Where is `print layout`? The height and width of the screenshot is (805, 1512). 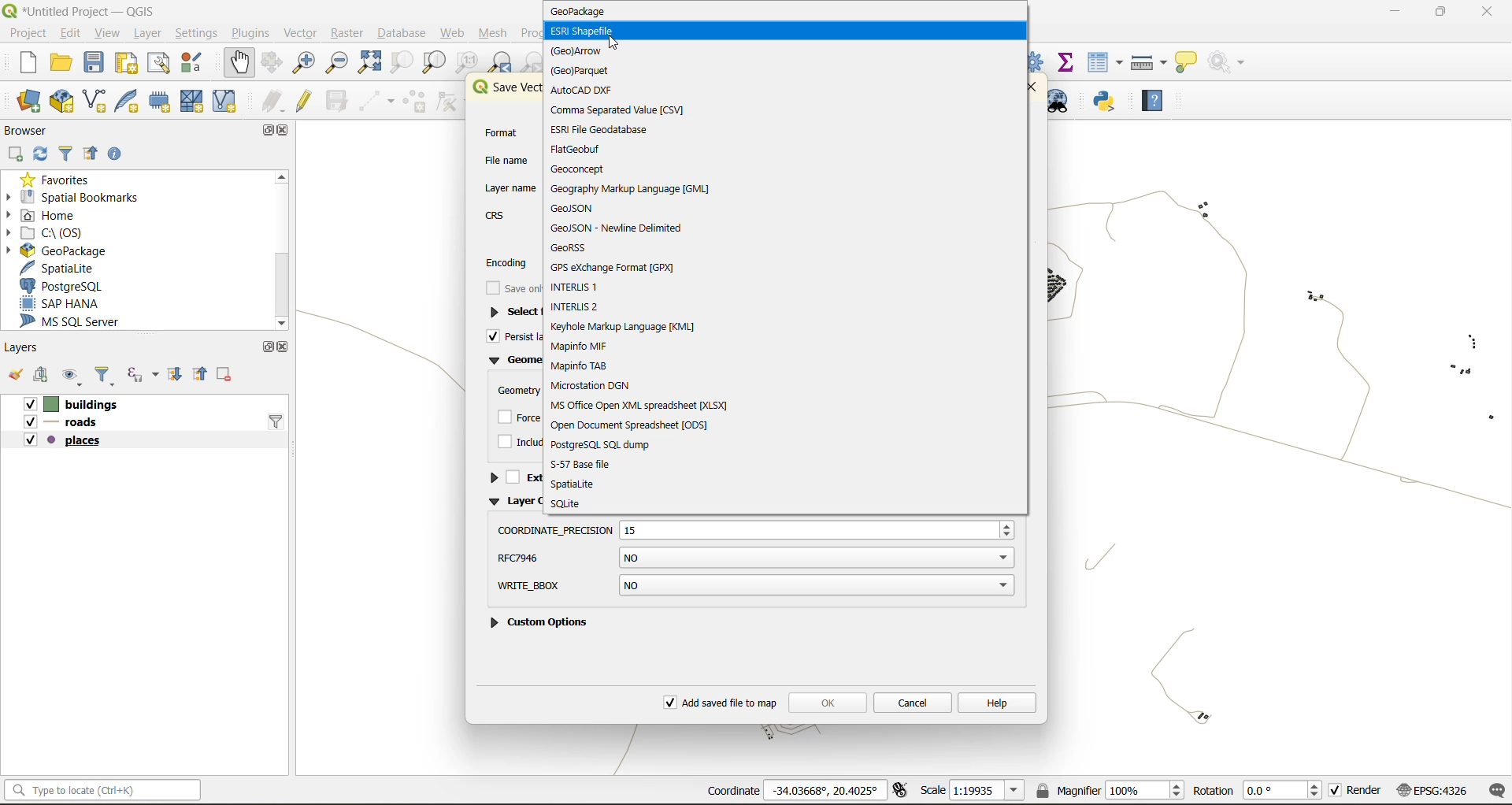 print layout is located at coordinates (132, 63).